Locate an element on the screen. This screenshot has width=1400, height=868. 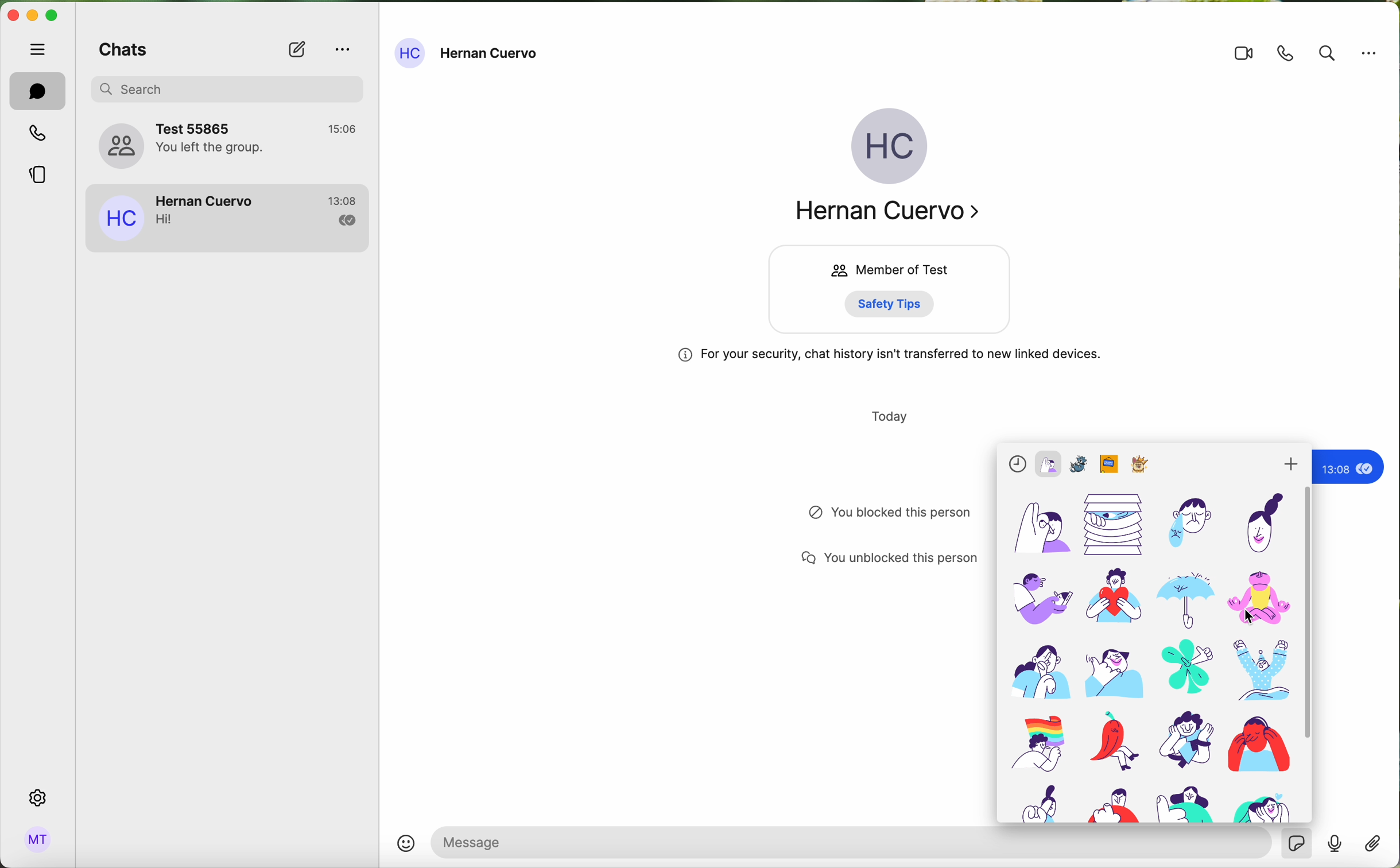
activity is located at coordinates (875, 514).